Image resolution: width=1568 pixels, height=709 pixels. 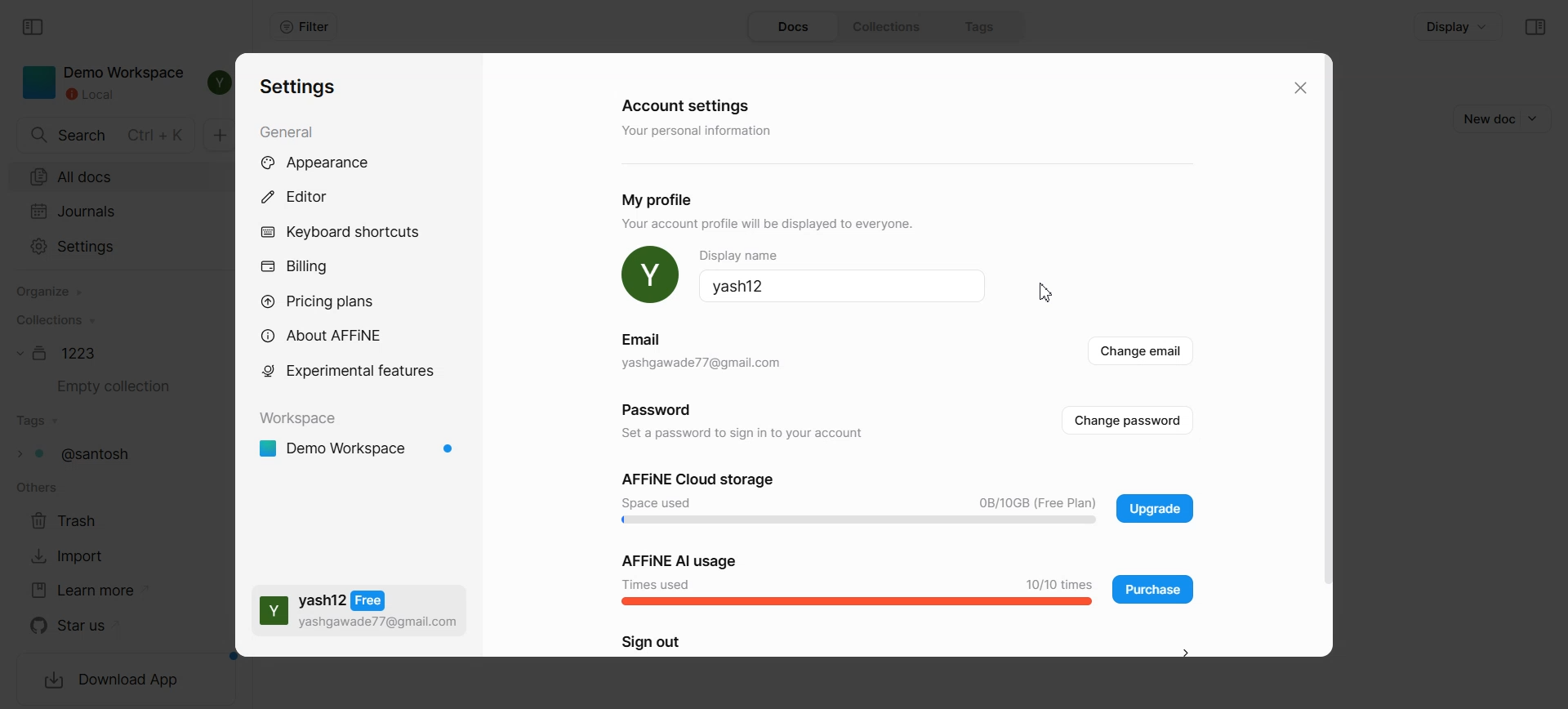 I want to click on About AFFiNE, so click(x=327, y=336).